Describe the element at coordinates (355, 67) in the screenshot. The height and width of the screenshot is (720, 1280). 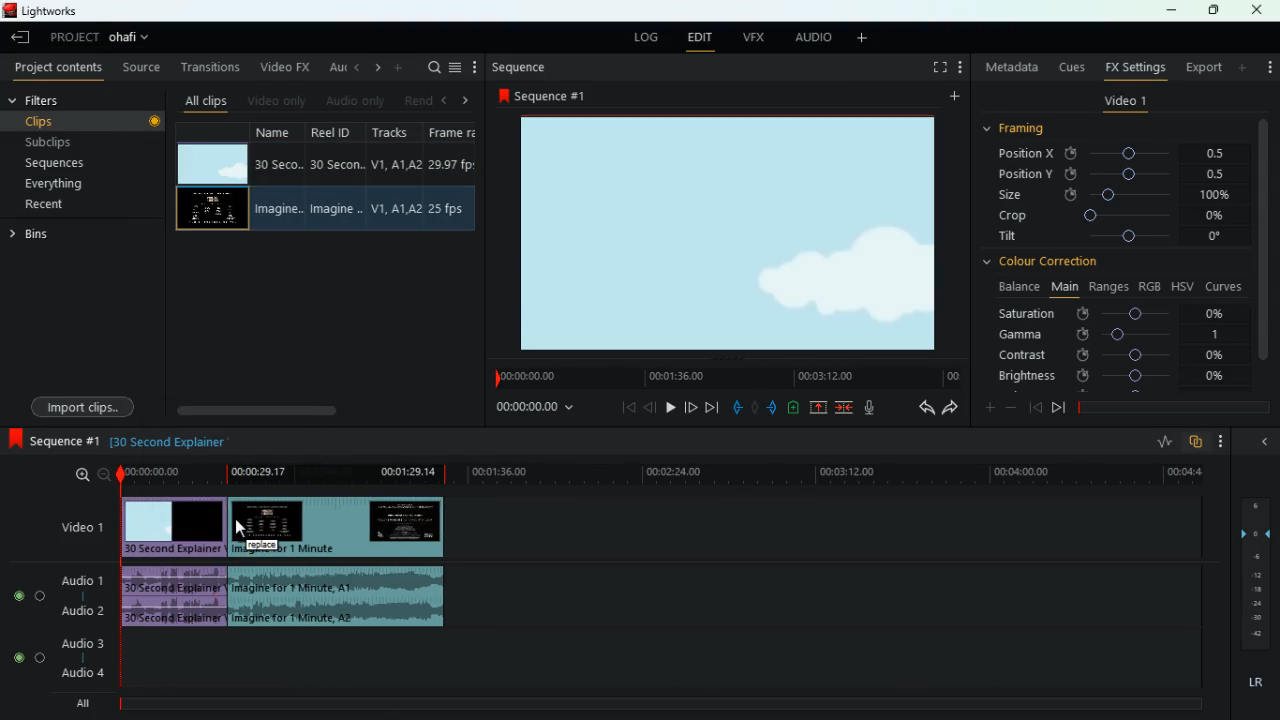
I see `back` at that location.